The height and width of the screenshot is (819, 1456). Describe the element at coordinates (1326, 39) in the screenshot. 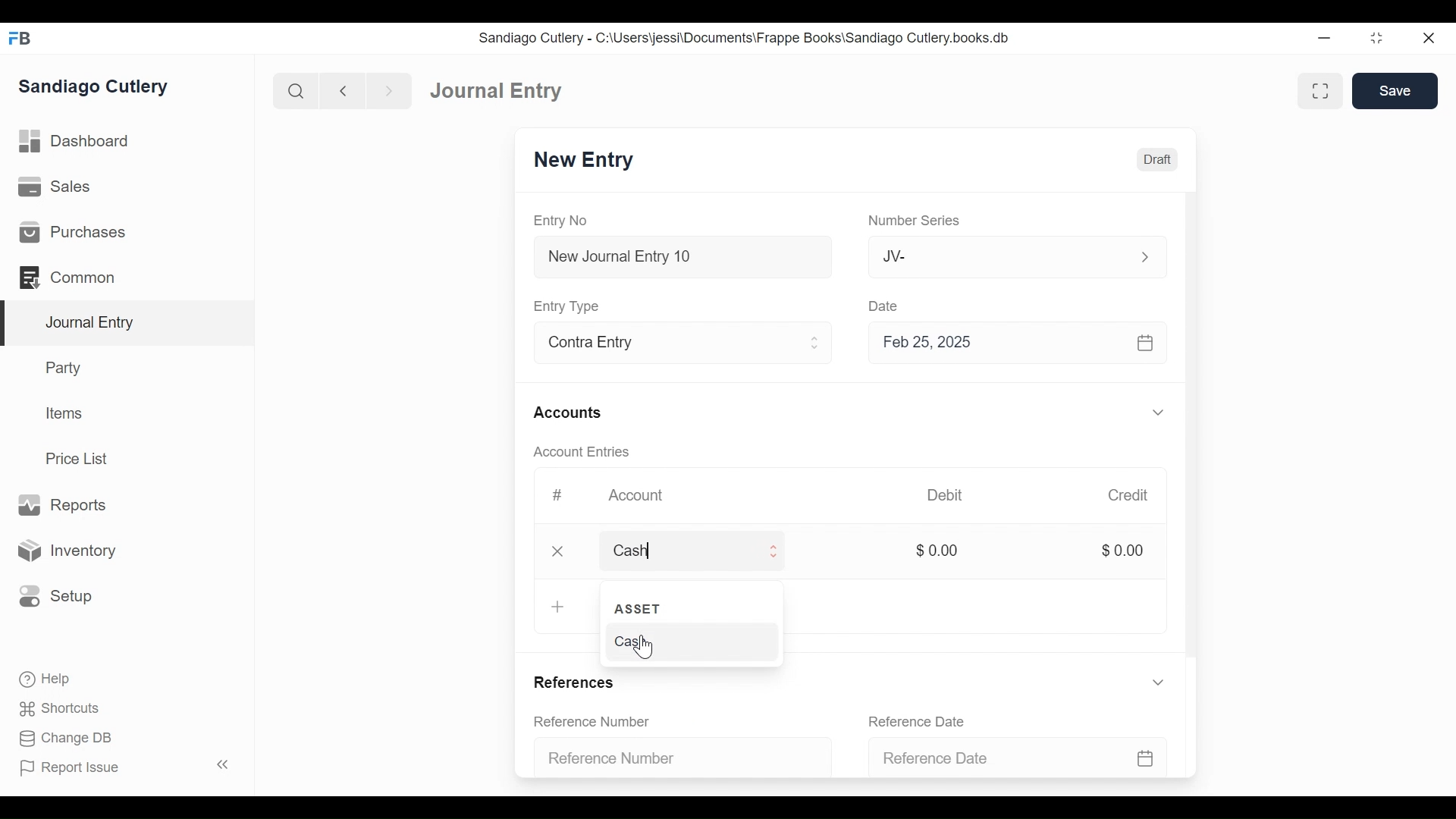

I see `Minimize` at that location.